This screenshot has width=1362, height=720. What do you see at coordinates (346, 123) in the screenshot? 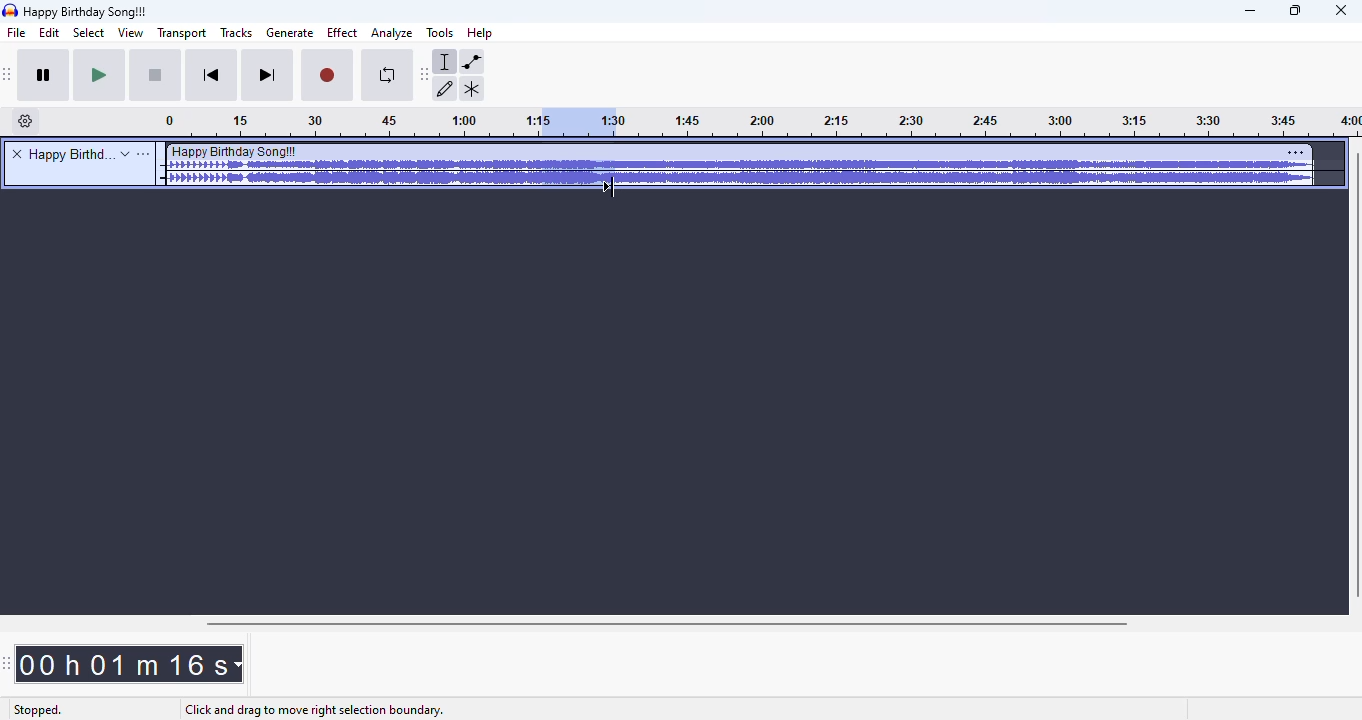
I see `Timeline` at bounding box center [346, 123].